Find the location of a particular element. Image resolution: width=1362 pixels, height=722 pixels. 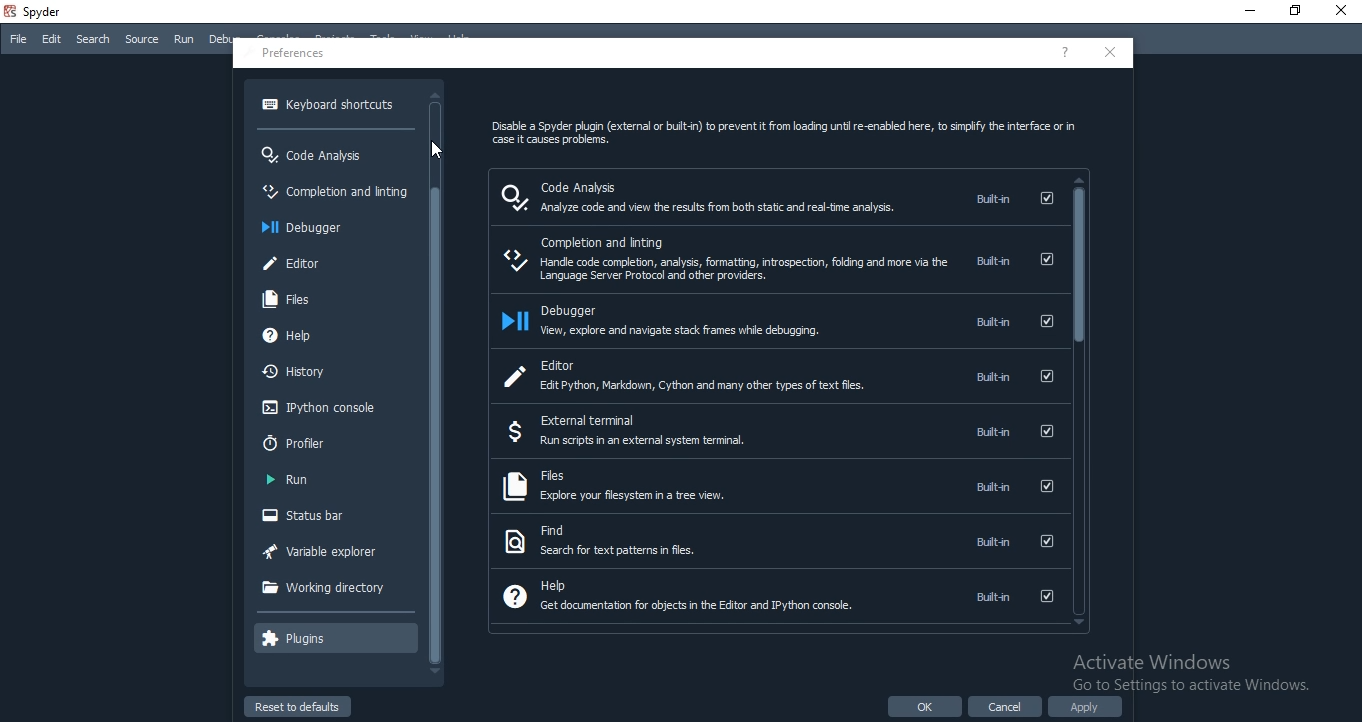

Variable explorer is located at coordinates (321, 549).